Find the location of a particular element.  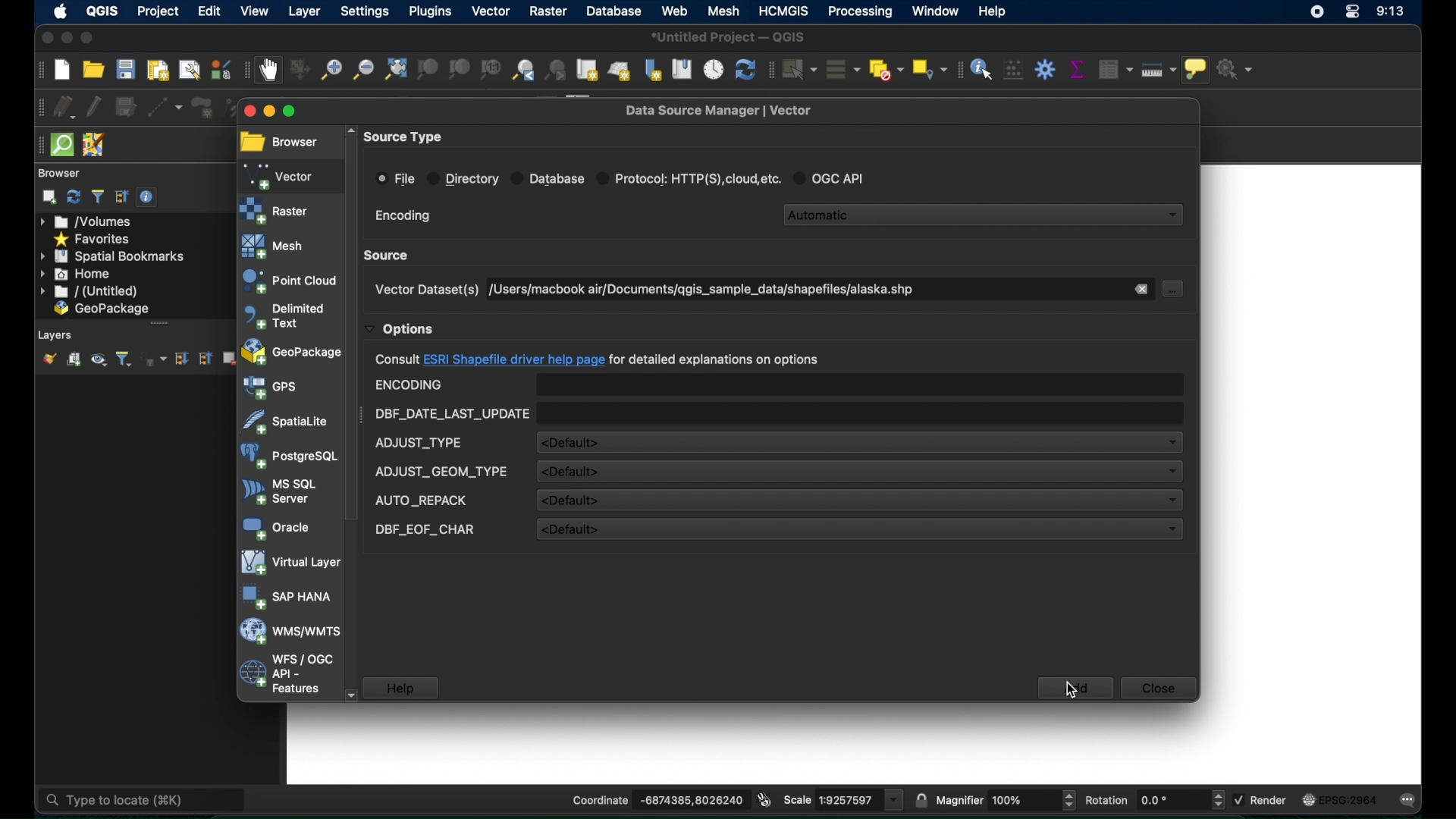

delimited text is located at coordinates (283, 315).